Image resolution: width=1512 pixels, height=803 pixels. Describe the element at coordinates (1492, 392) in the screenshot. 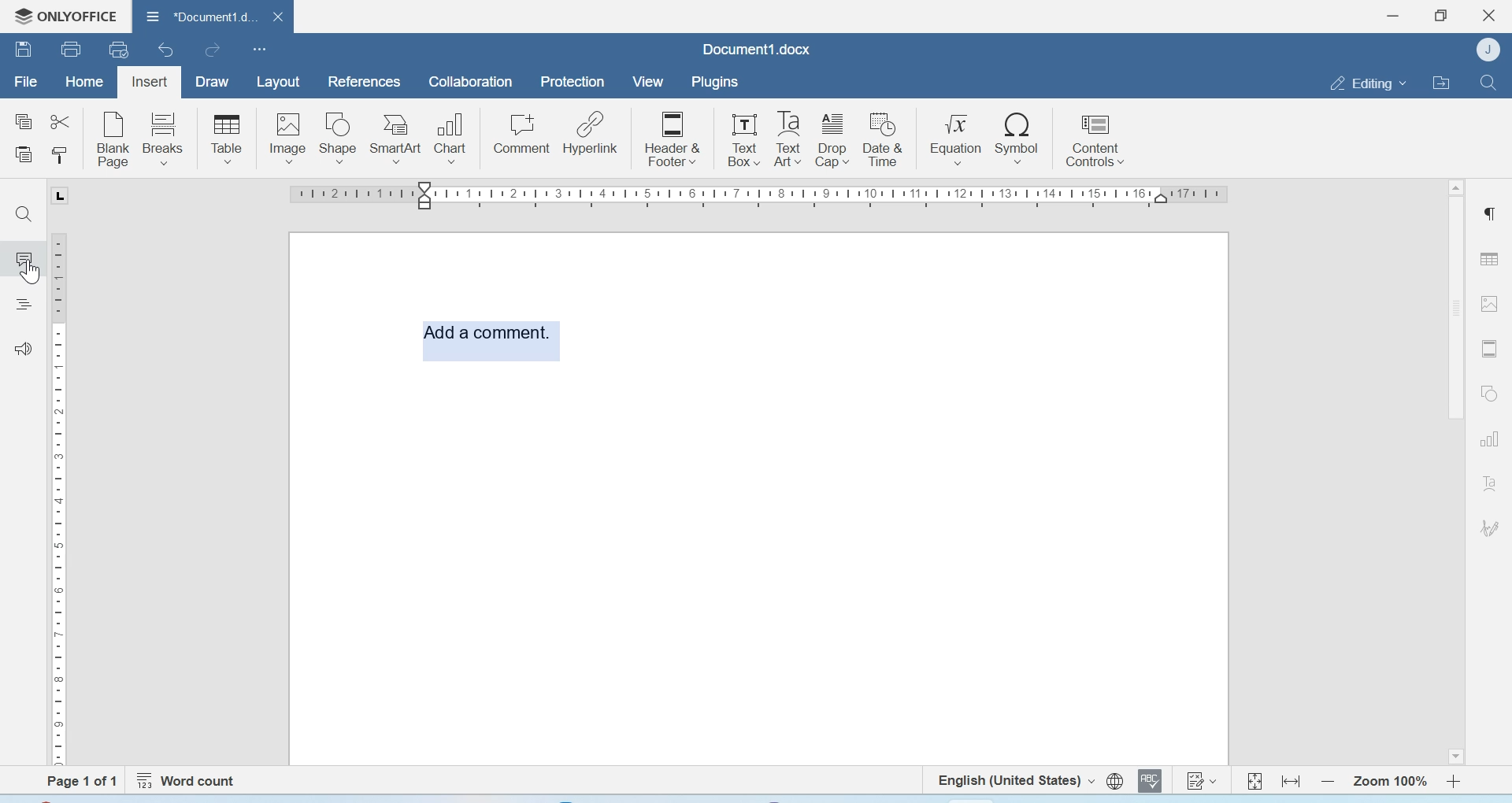

I see `Shapes` at that location.